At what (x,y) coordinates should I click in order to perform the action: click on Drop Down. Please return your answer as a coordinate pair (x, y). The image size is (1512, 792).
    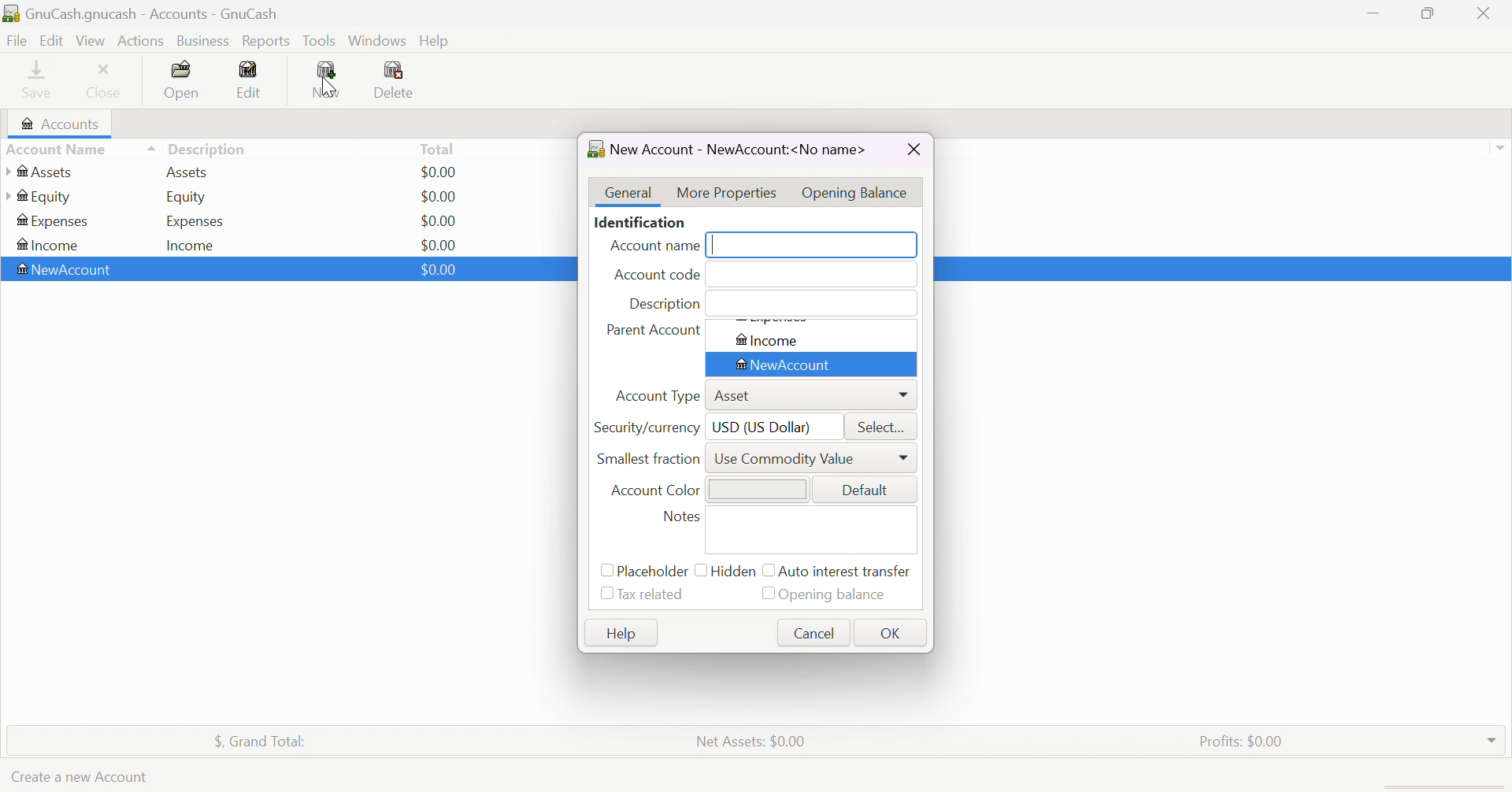
    Looking at the image, I should click on (1494, 741).